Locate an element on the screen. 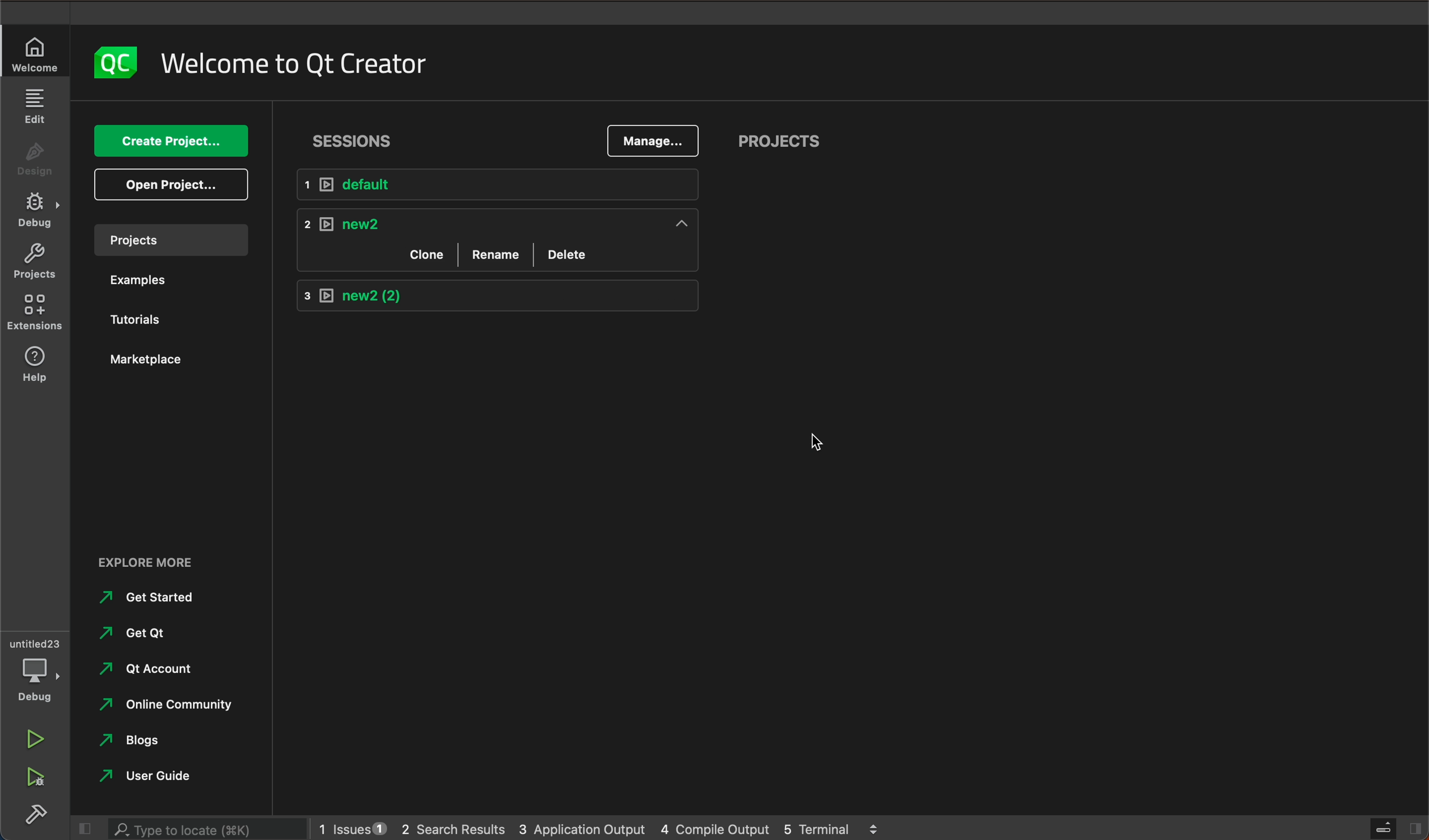 This screenshot has width=1429, height=840. search results is located at coordinates (453, 826).